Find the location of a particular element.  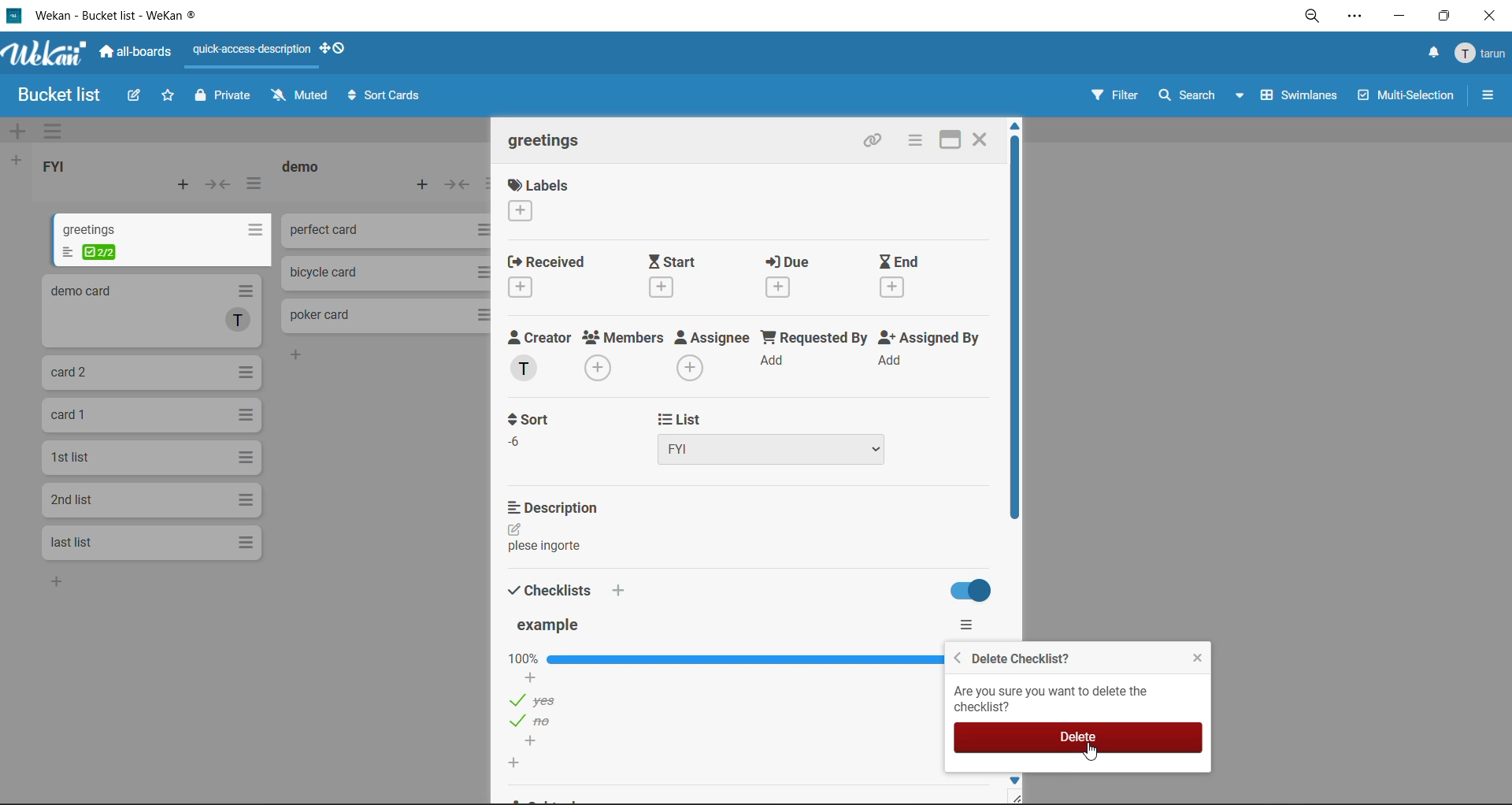

board name is located at coordinates (61, 95).